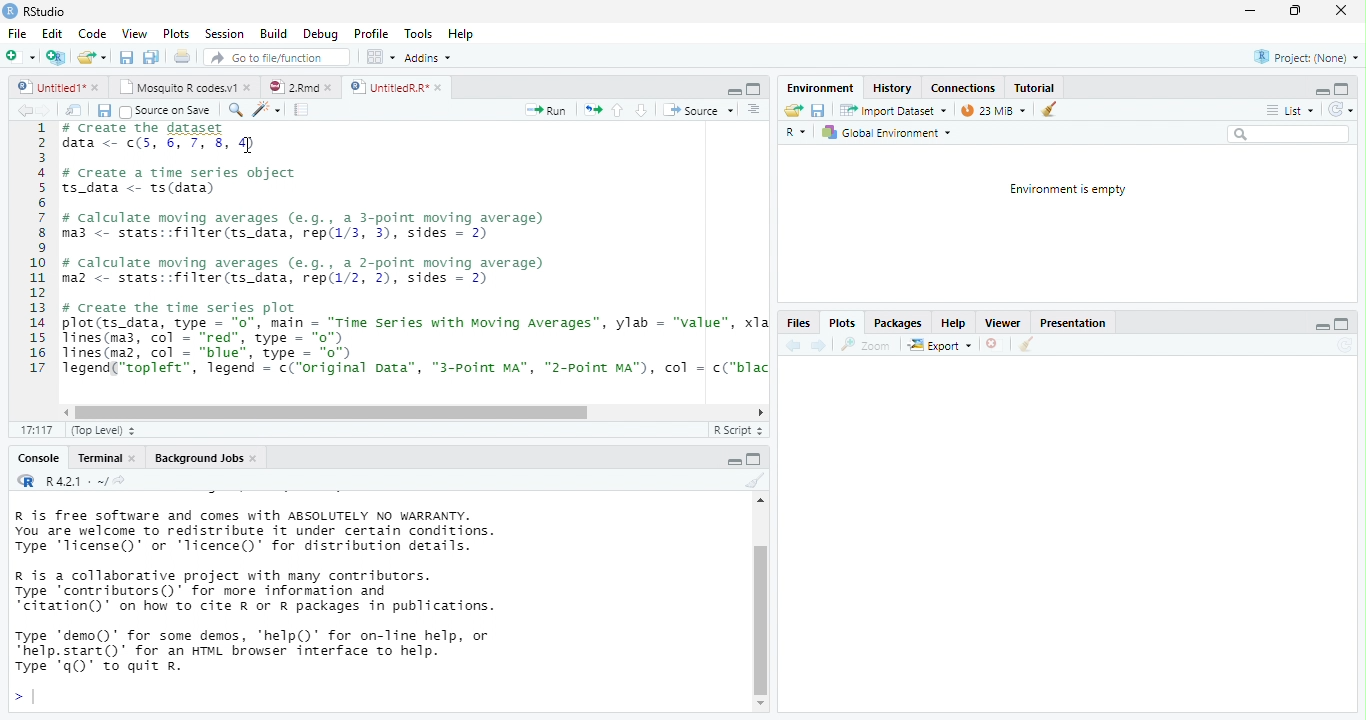  What do you see at coordinates (1289, 111) in the screenshot?
I see `List` at bounding box center [1289, 111].